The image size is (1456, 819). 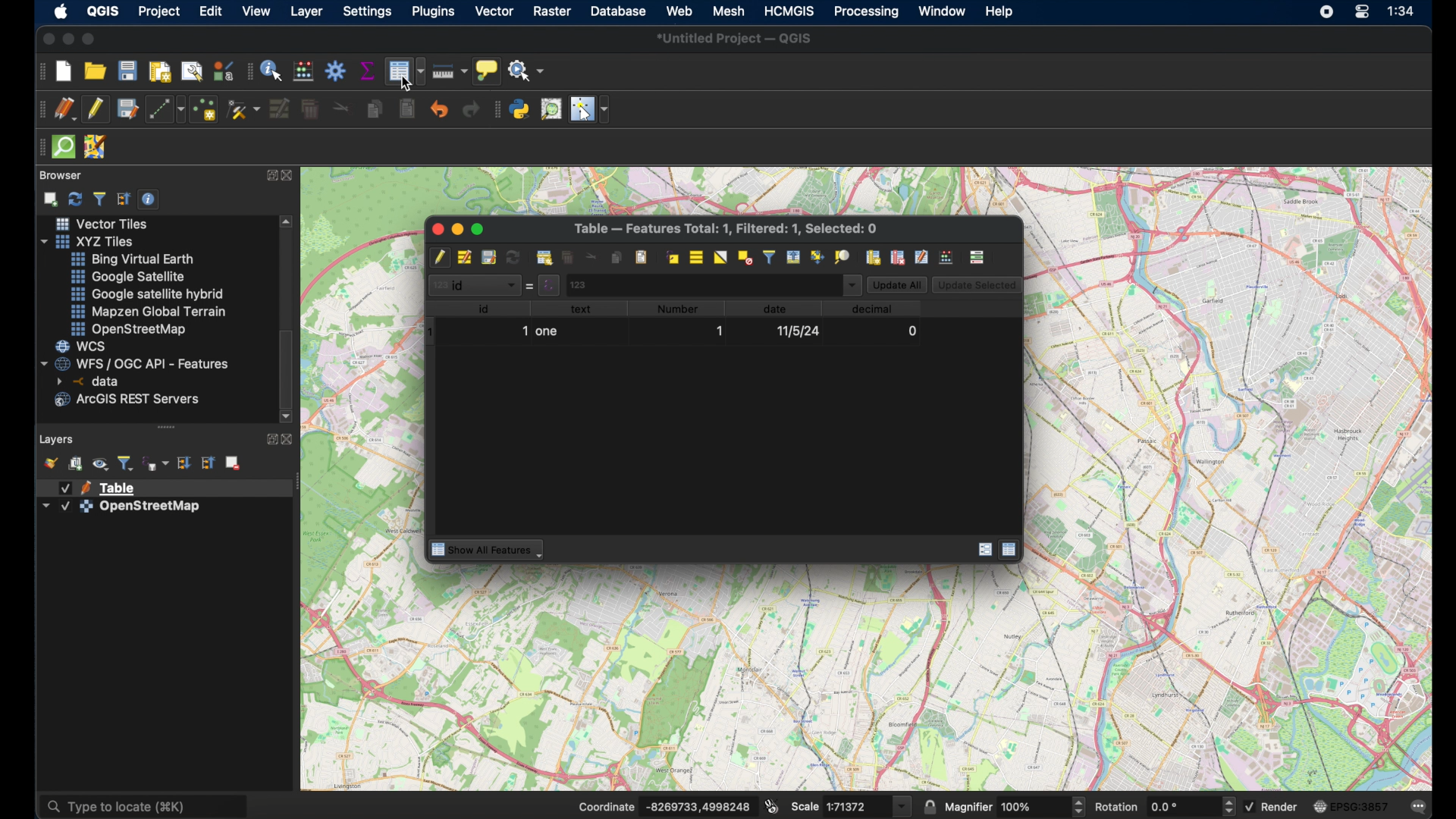 What do you see at coordinates (697, 256) in the screenshot?
I see `select all` at bounding box center [697, 256].